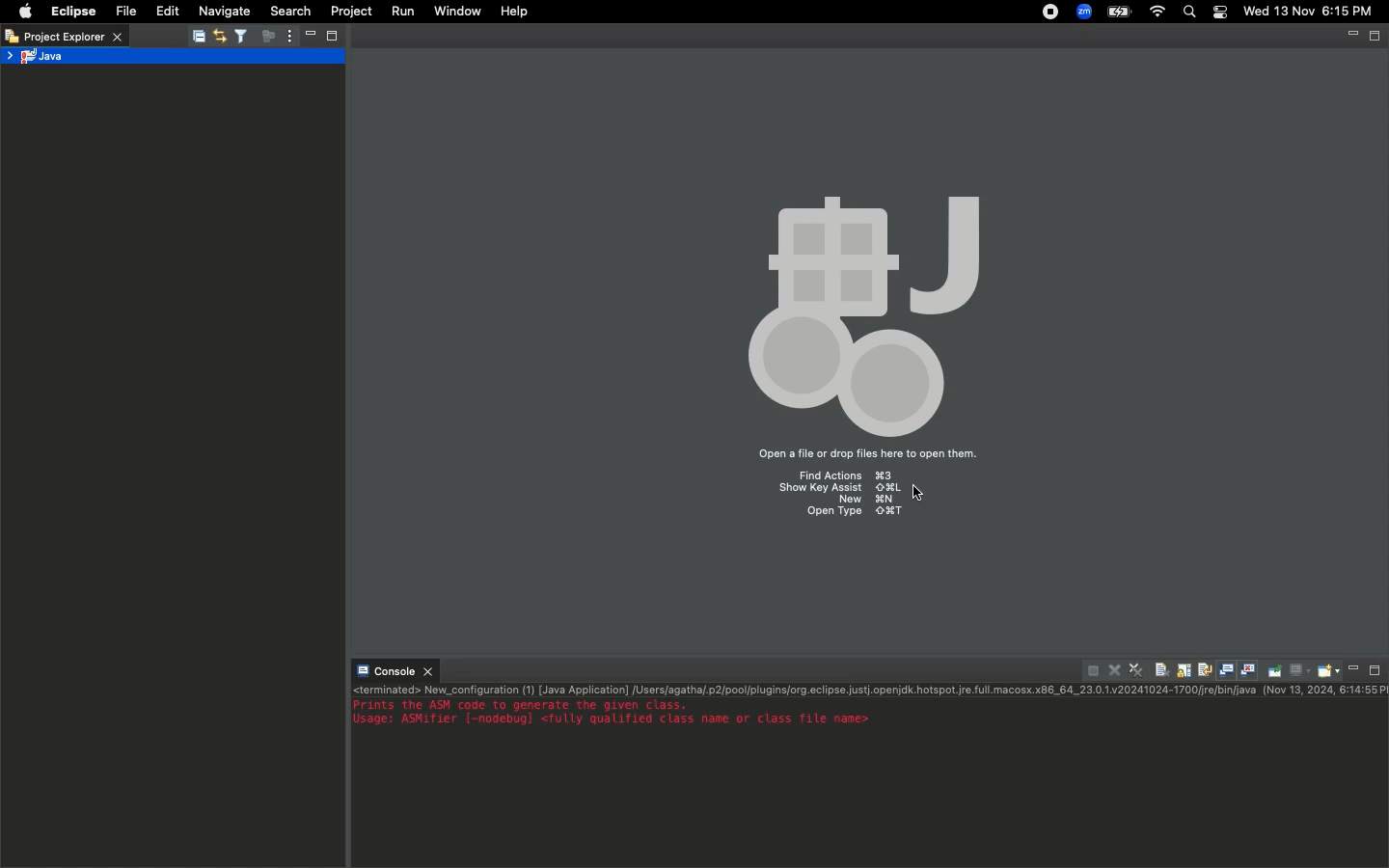 The image size is (1389, 868). What do you see at coordinates (167, 13) in the screenshot?
I see `Edit` at bounding box center [167, 13].